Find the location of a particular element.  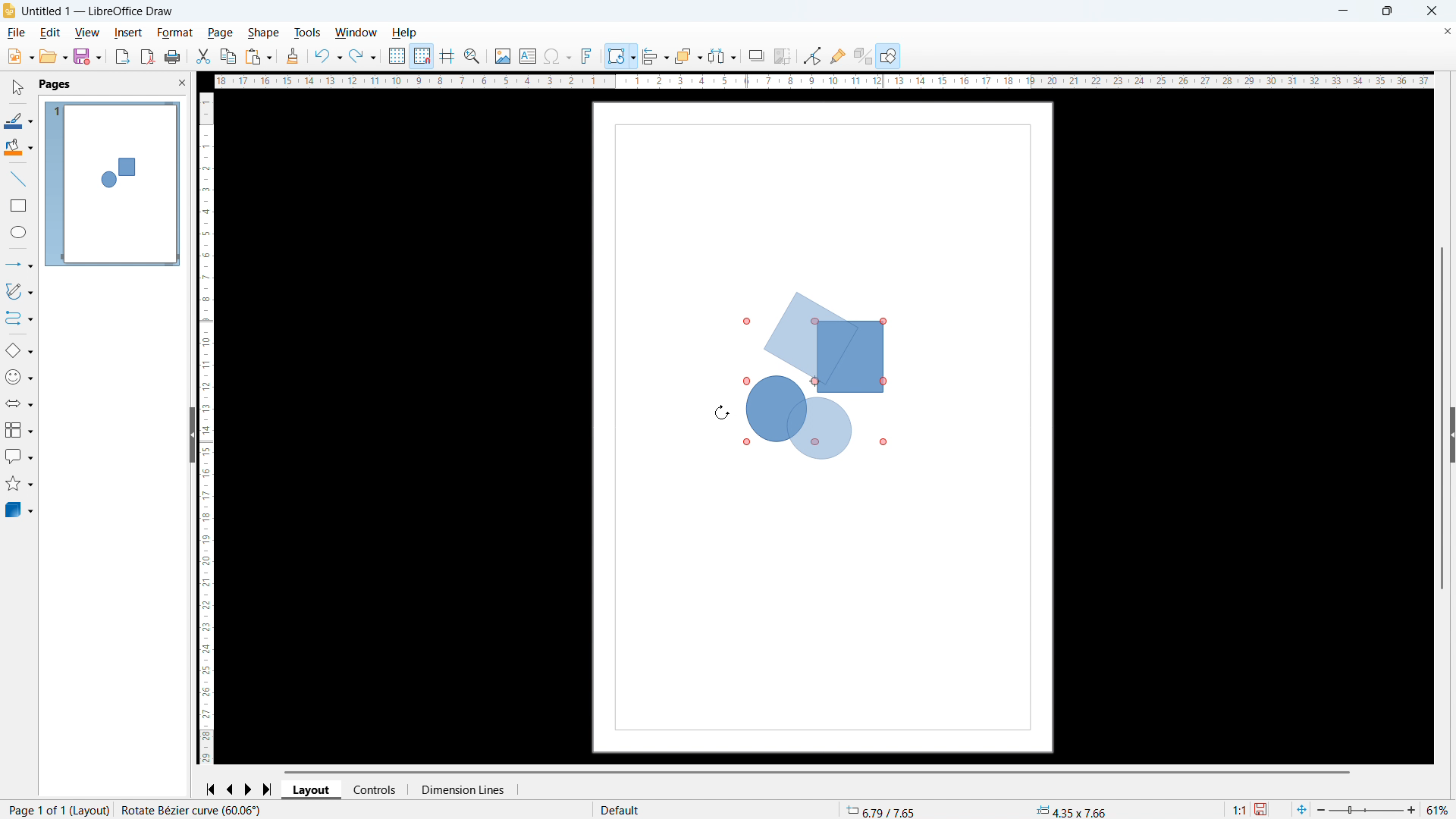

Format  is located at coordinates (176, 33).